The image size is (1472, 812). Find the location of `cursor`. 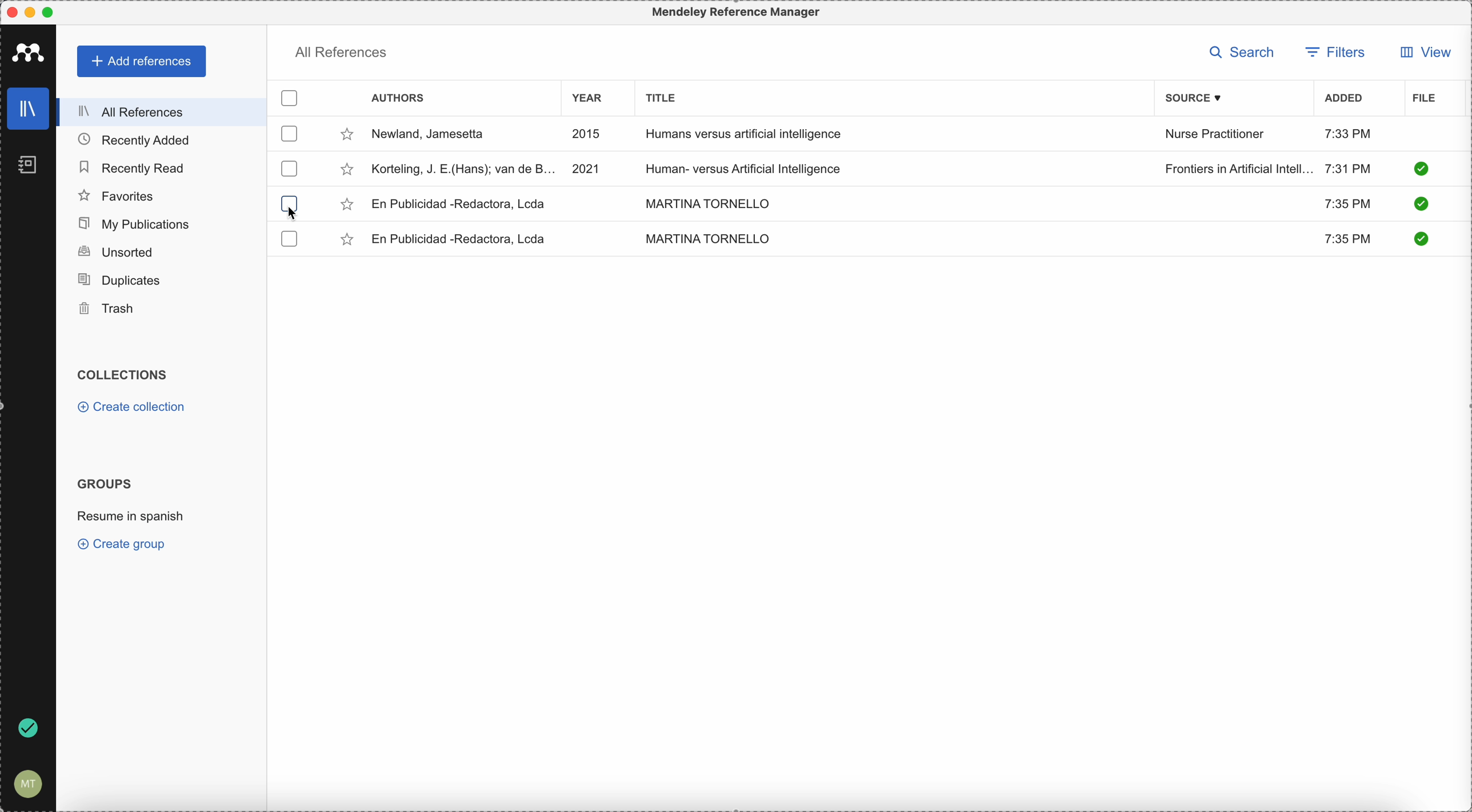

cursor is located at coordinates (294, 214).